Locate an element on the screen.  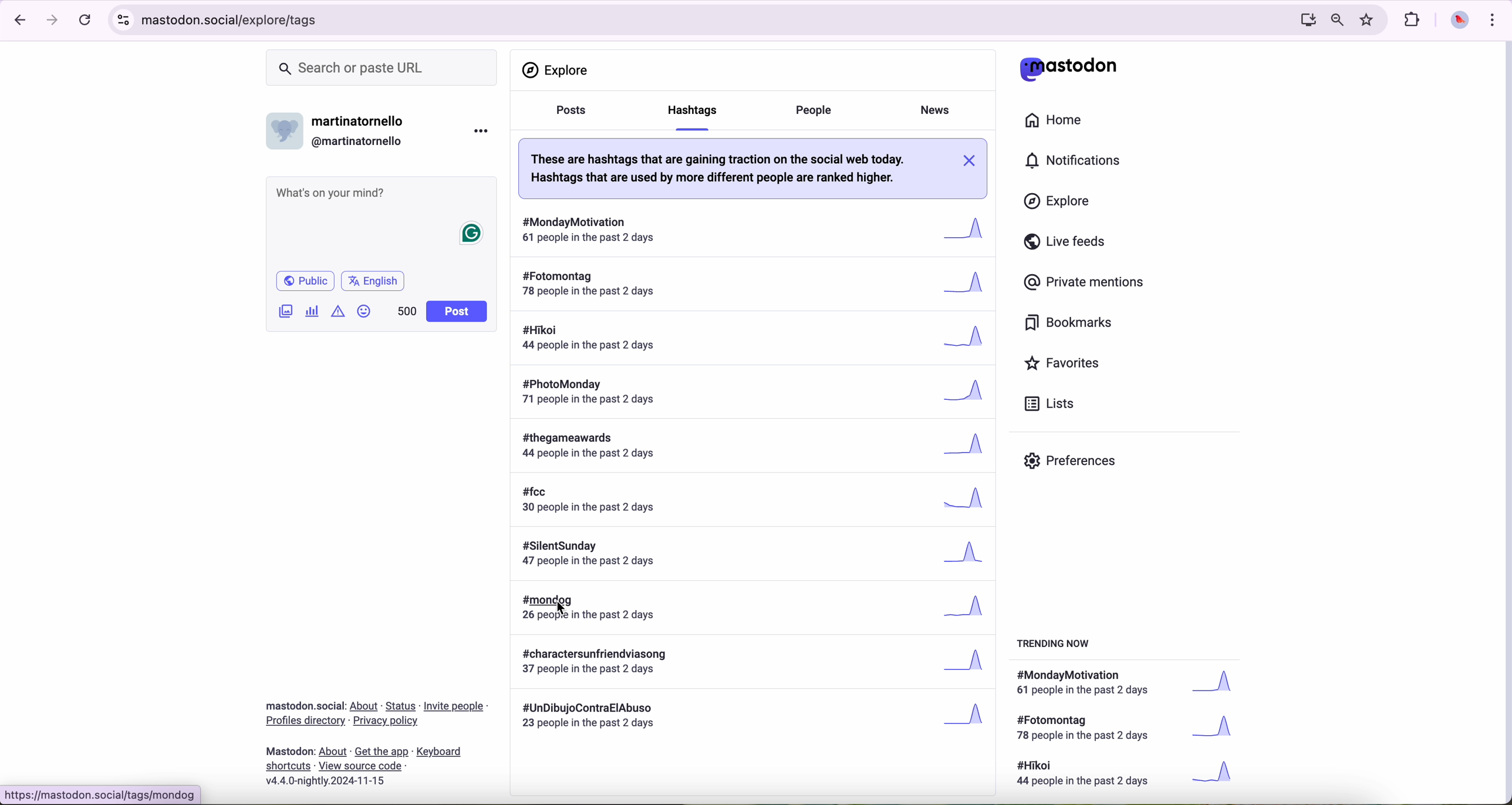
chart is located at coordinates (312, 312).